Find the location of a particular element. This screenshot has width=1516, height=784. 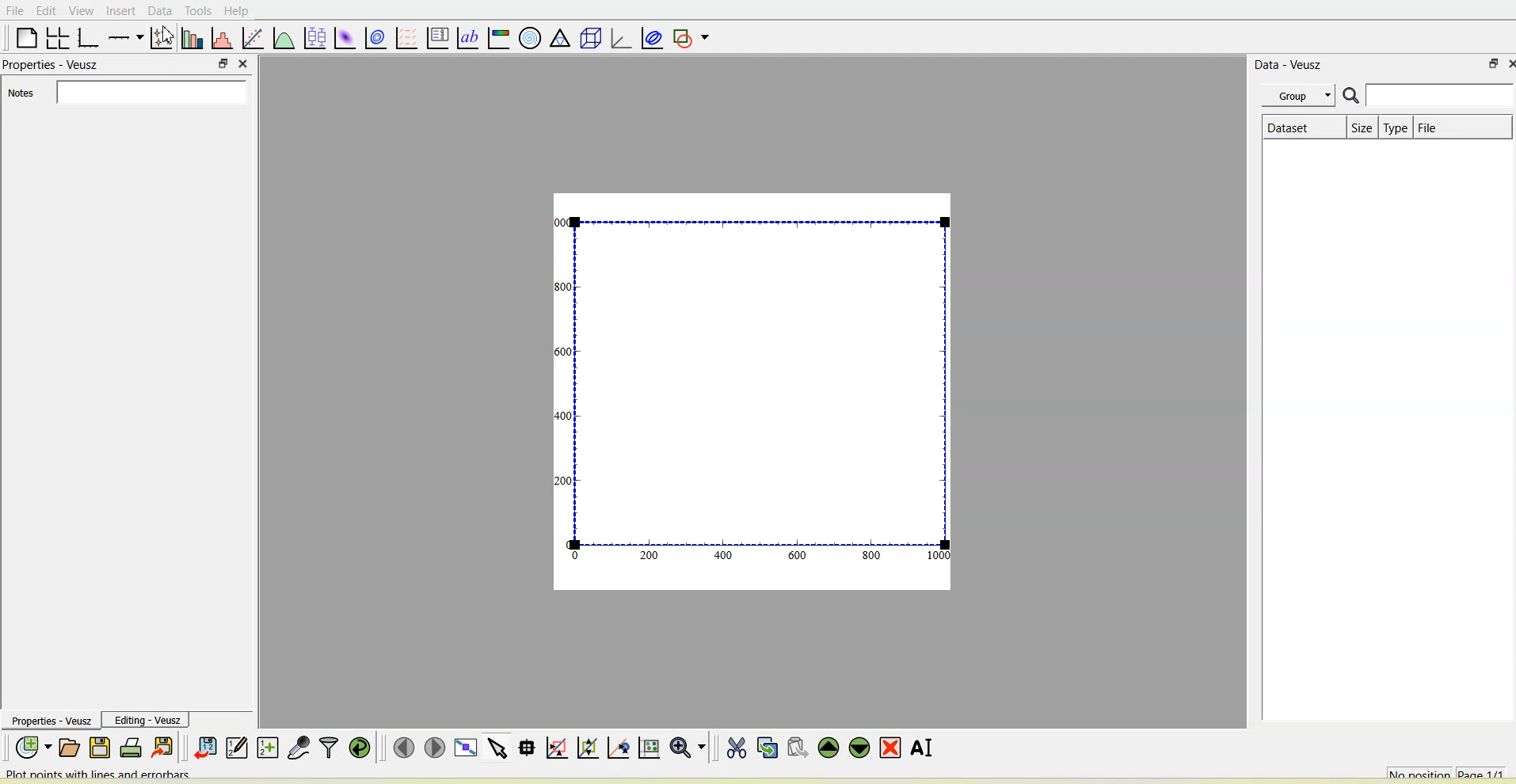

800 is located at coordinates (870, 556).